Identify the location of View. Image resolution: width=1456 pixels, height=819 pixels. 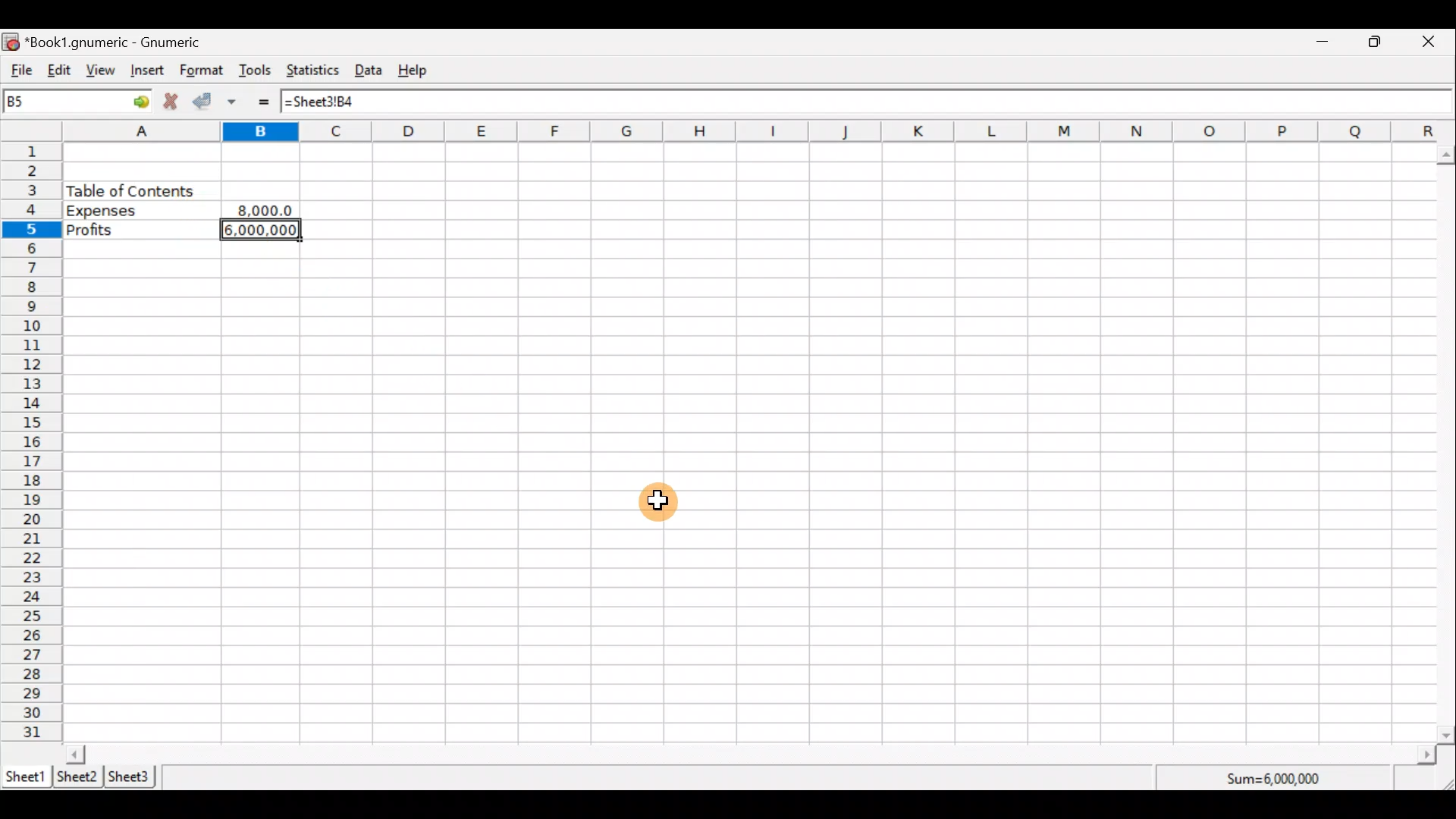
(105, 71).